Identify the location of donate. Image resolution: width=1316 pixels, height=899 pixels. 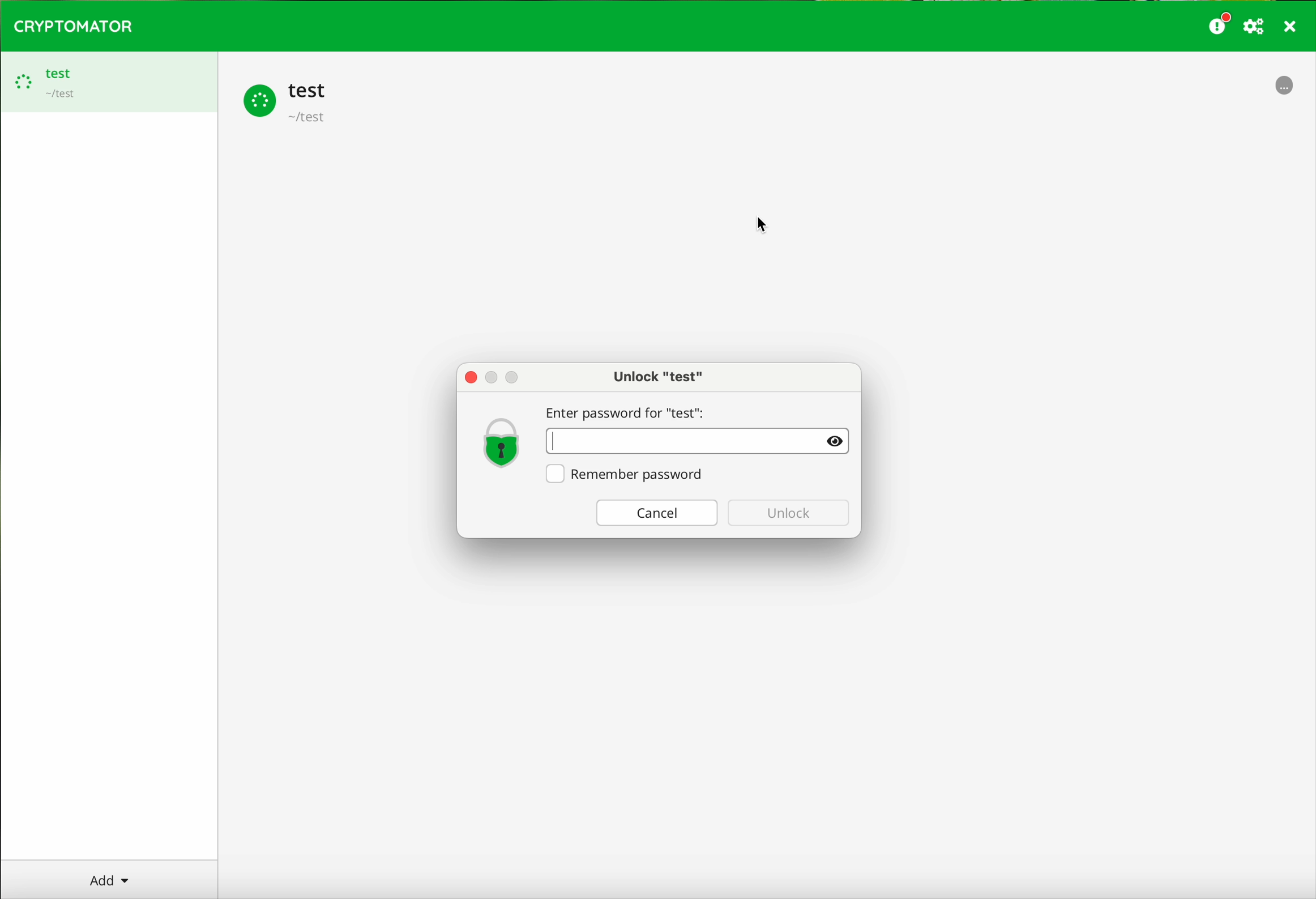
(1220, 23).